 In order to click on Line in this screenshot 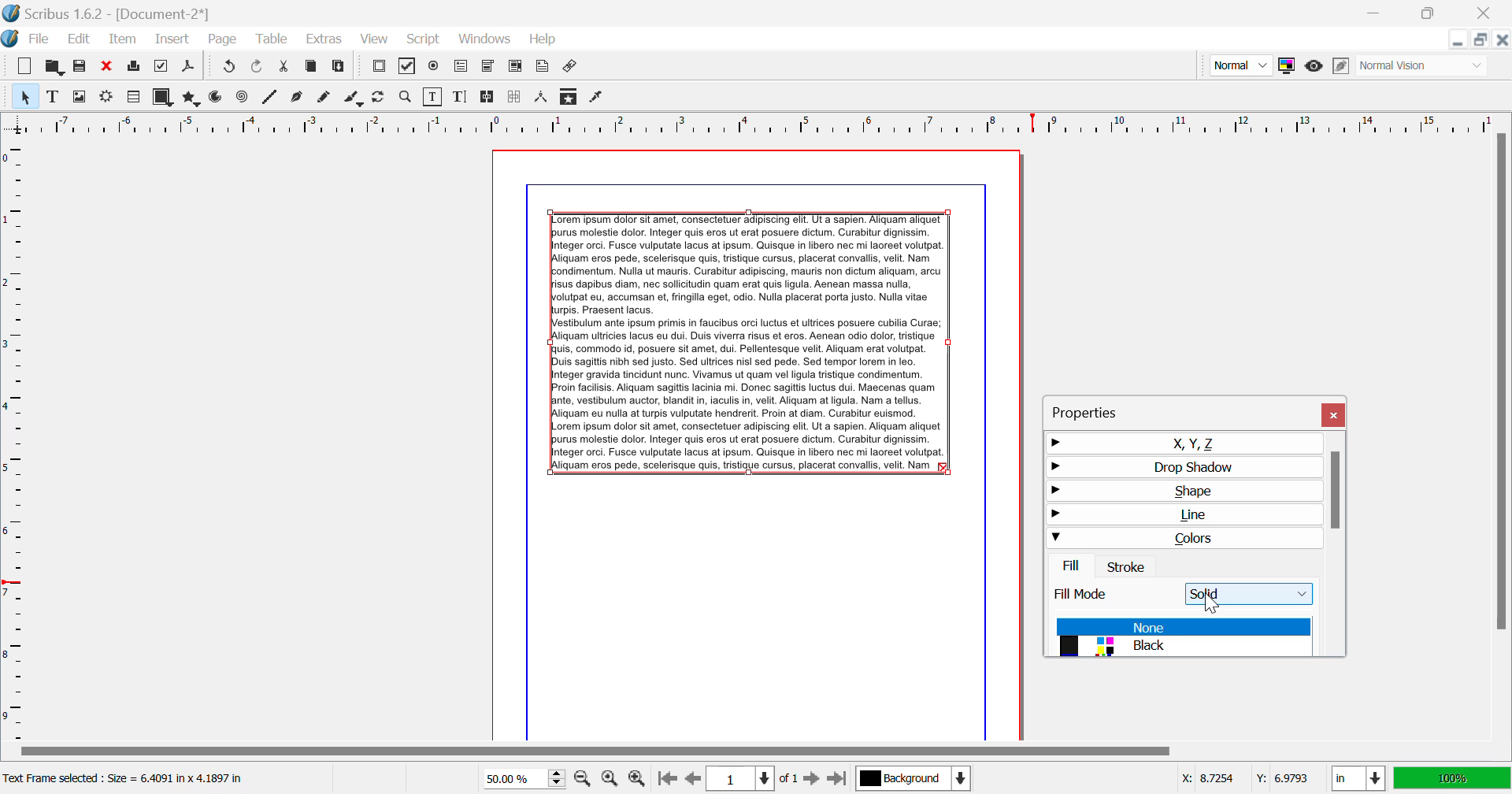, I will do `click(1183, 517)`.